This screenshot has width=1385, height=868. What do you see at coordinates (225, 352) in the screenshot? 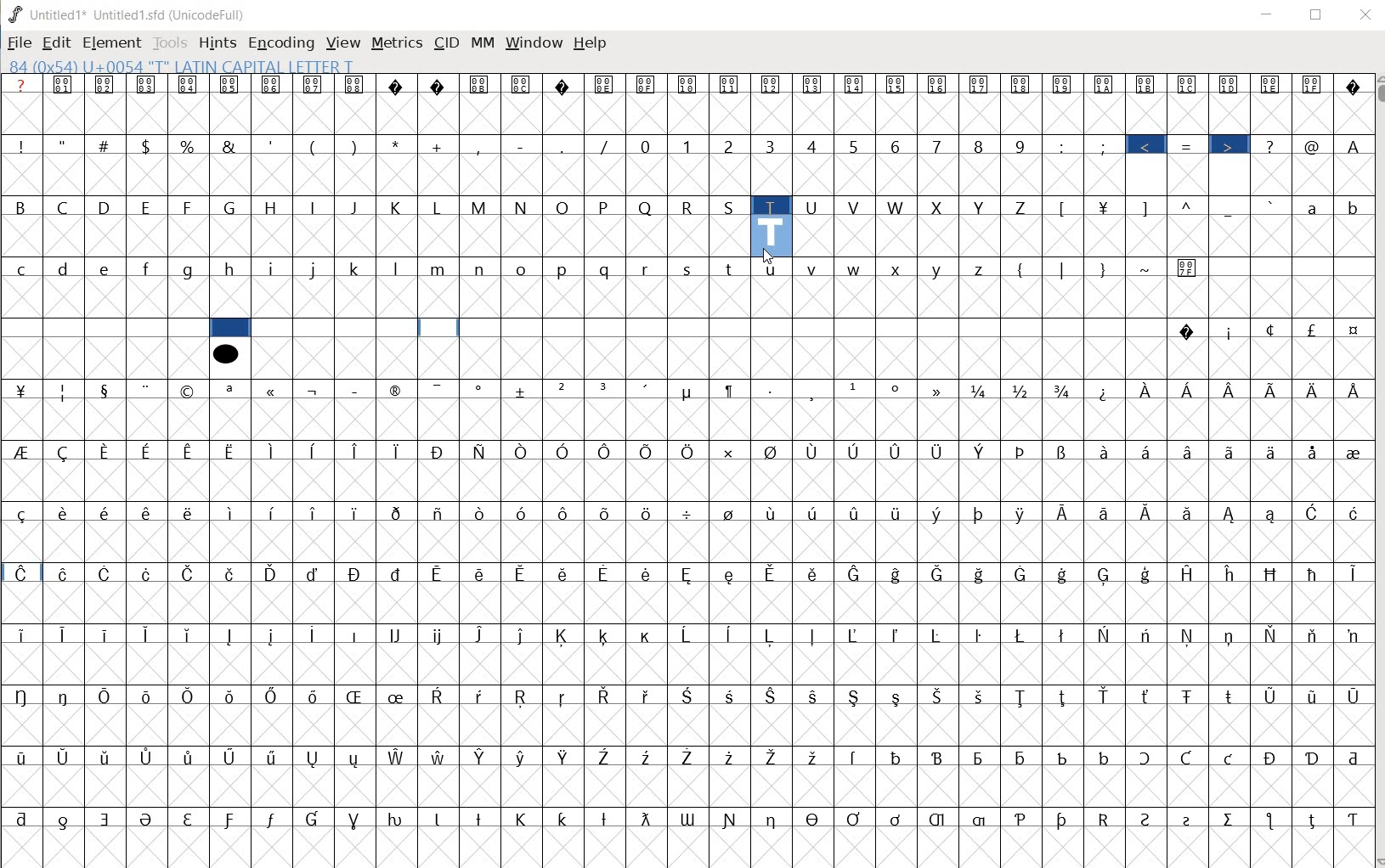
I see `symbol` at bounding box center [225, 352].